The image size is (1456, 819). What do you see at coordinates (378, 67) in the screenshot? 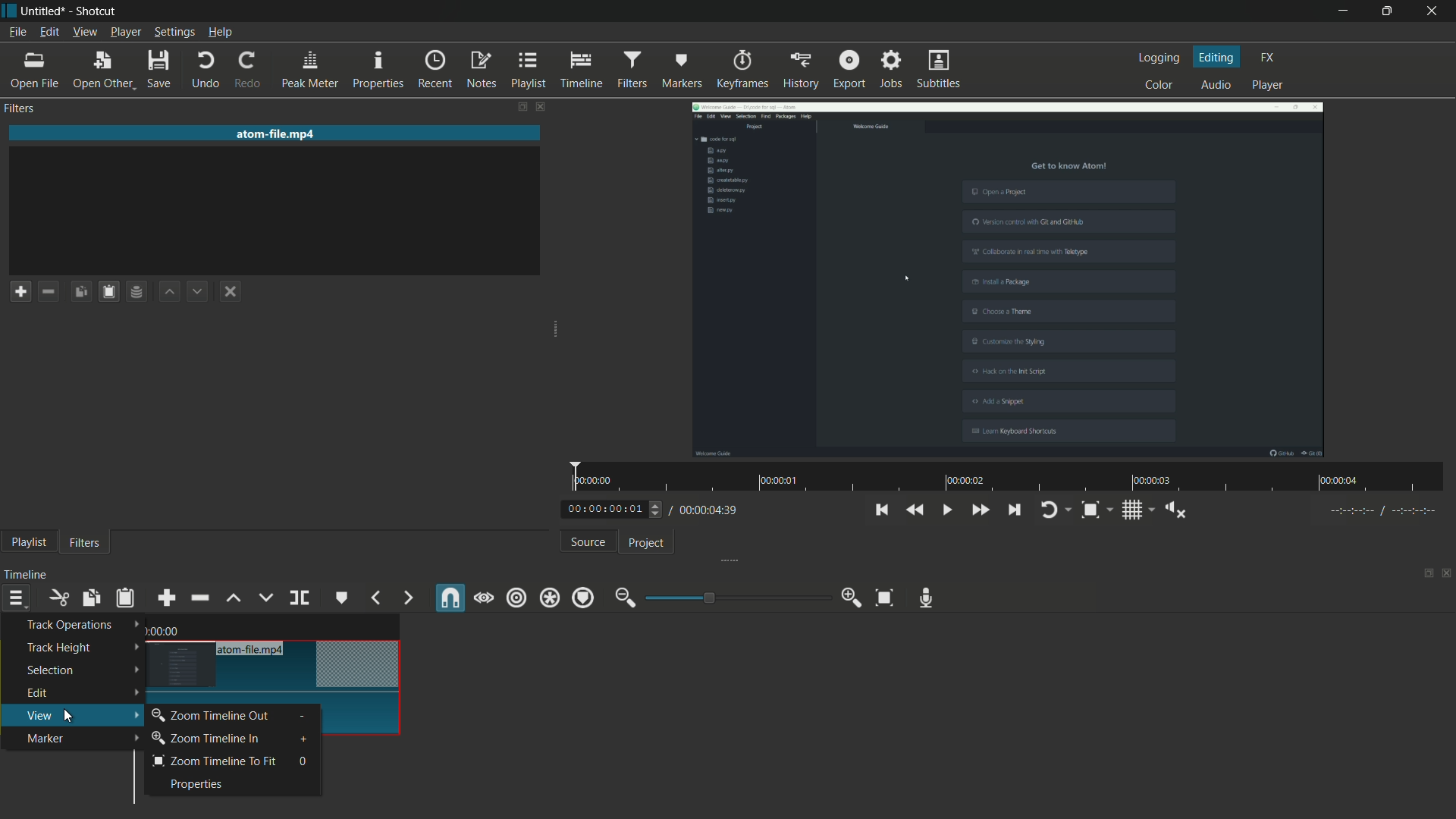
I see `properties` at bounding box center [378, 67].